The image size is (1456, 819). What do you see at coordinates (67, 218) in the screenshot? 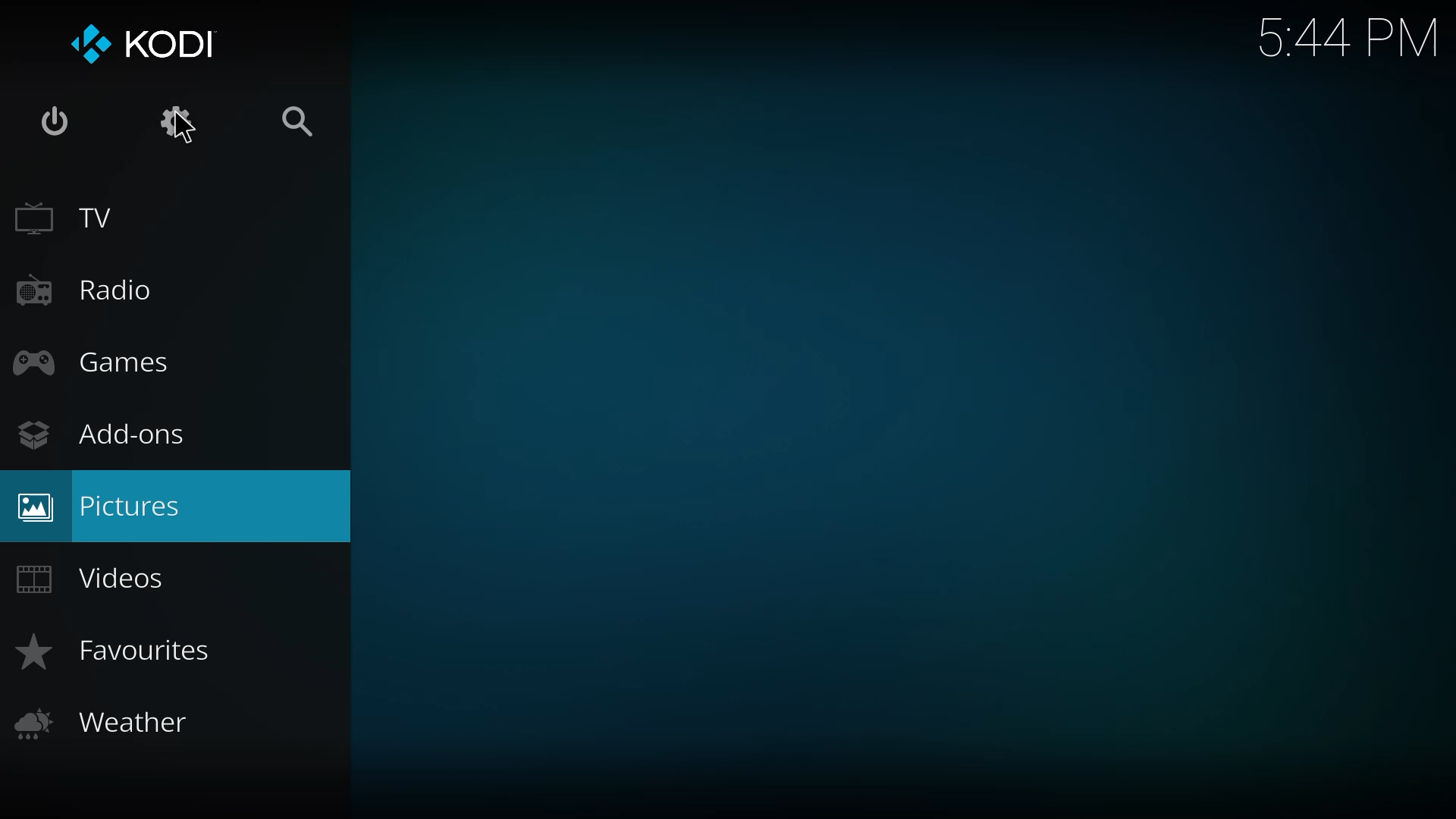
I see `tv` at bounding box center [67, 218].